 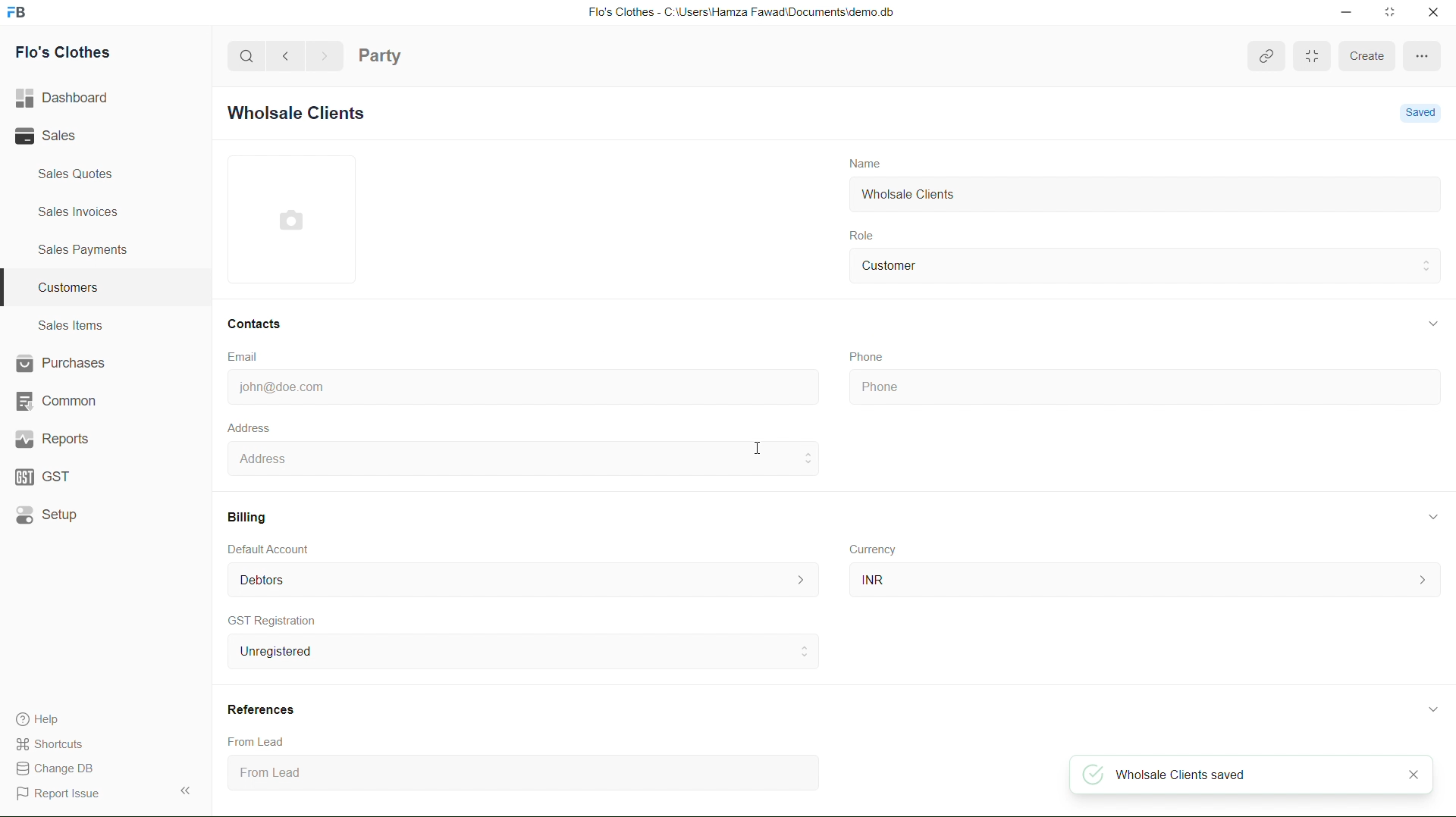 I want to click on Saved, so click(x=1423, y=112).